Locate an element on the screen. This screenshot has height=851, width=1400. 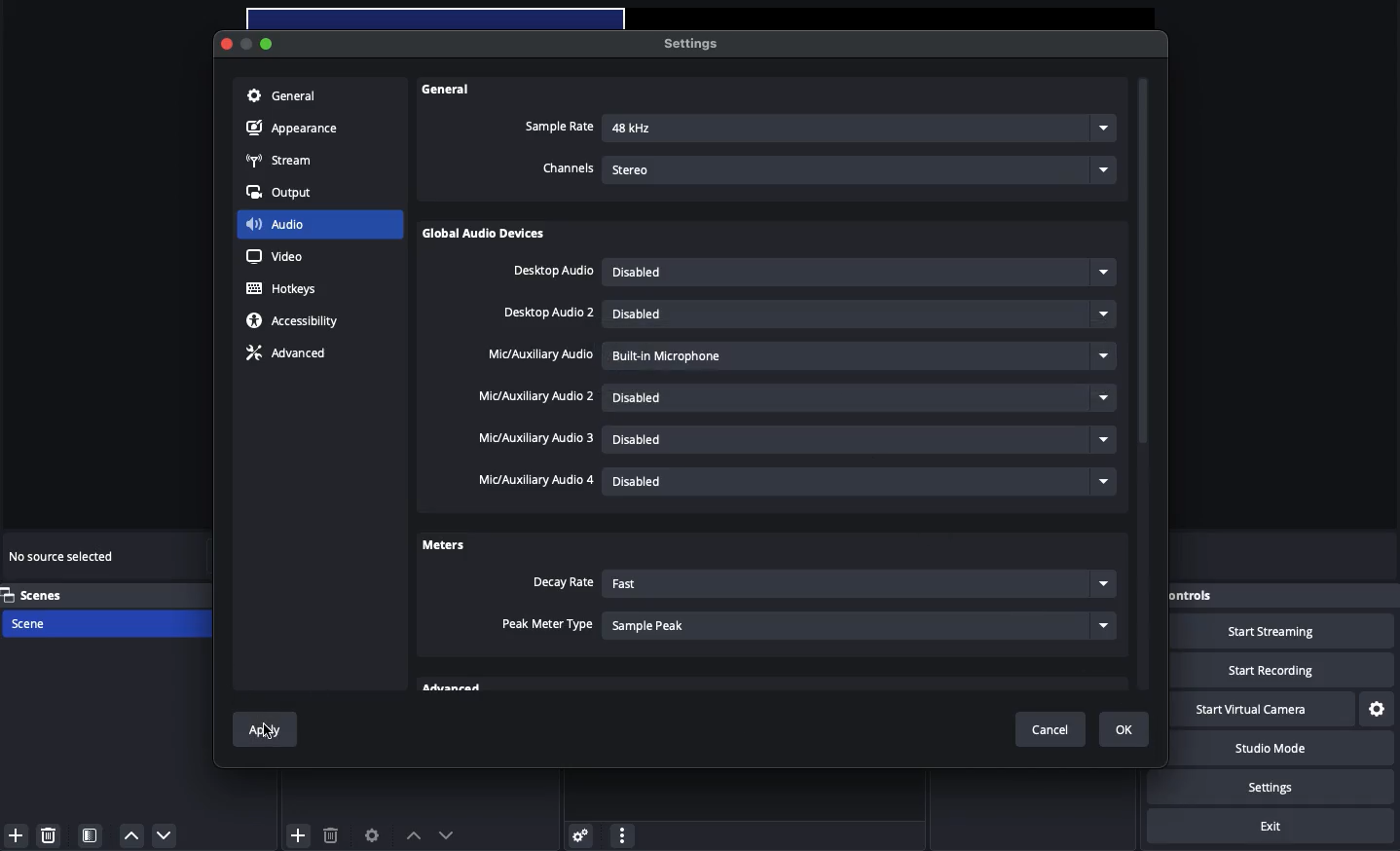
General is located at coordinates (449, 90).